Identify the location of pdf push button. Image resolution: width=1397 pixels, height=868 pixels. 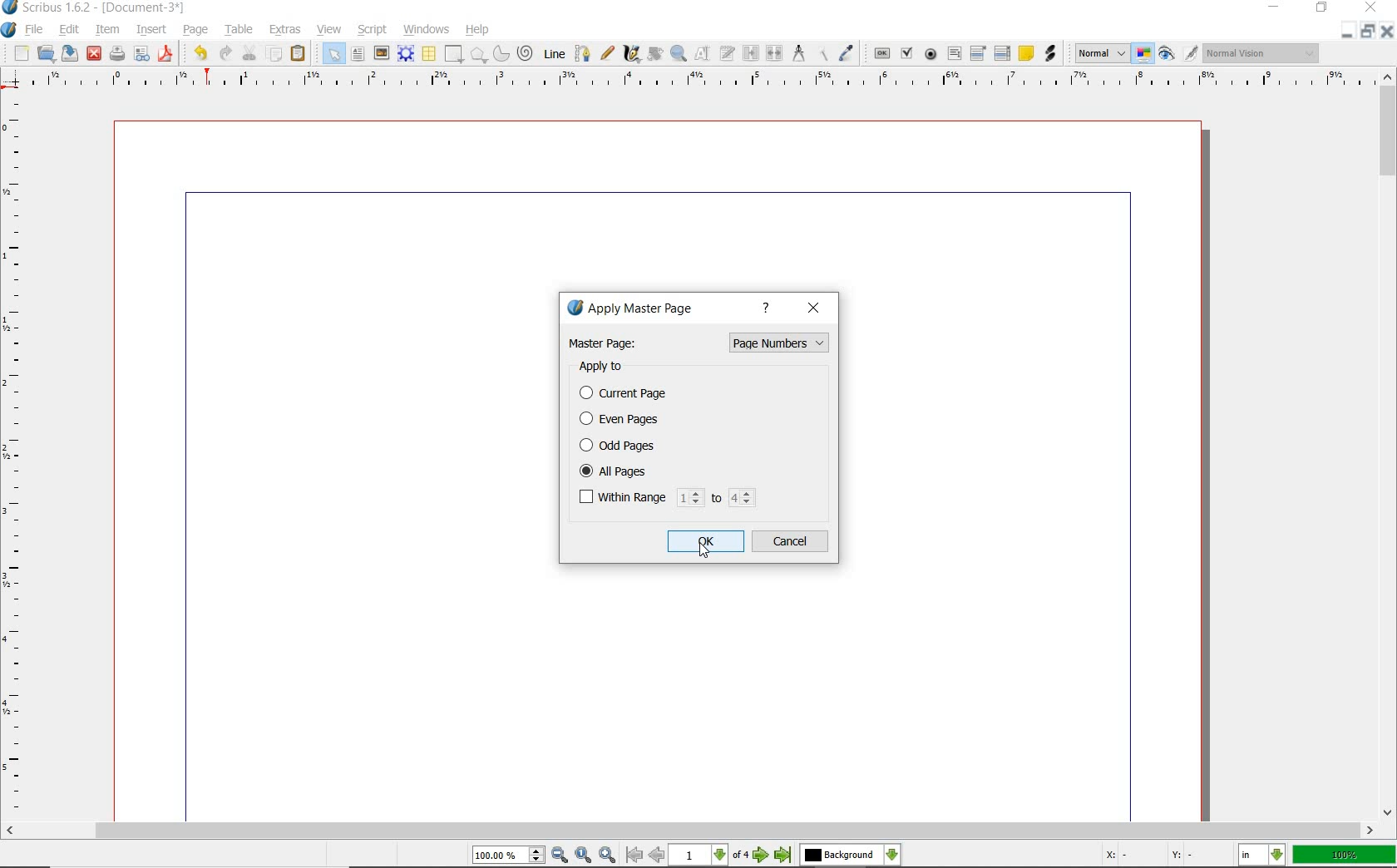
(881, 53).